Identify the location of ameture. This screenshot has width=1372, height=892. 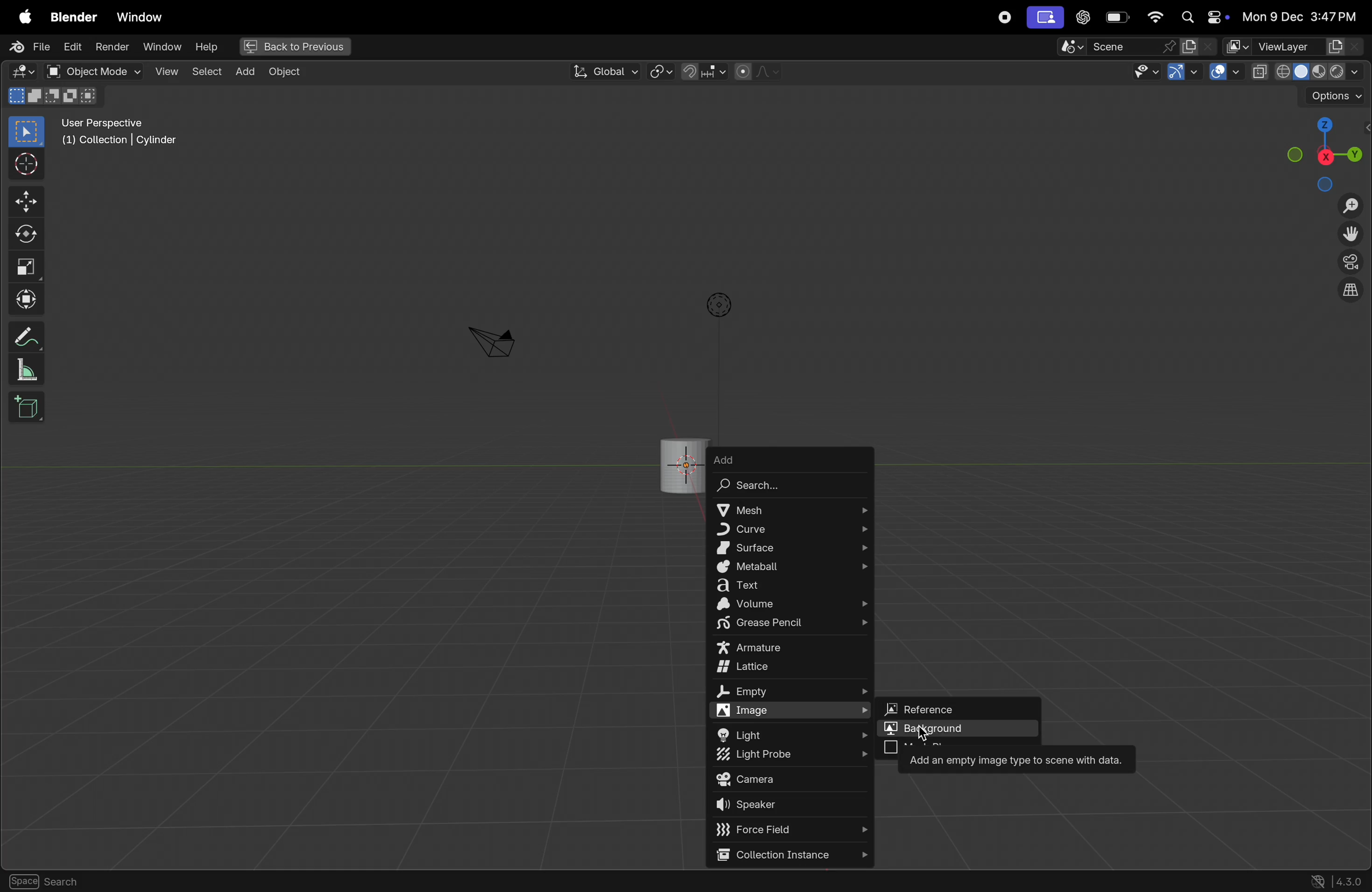
(791, 649).